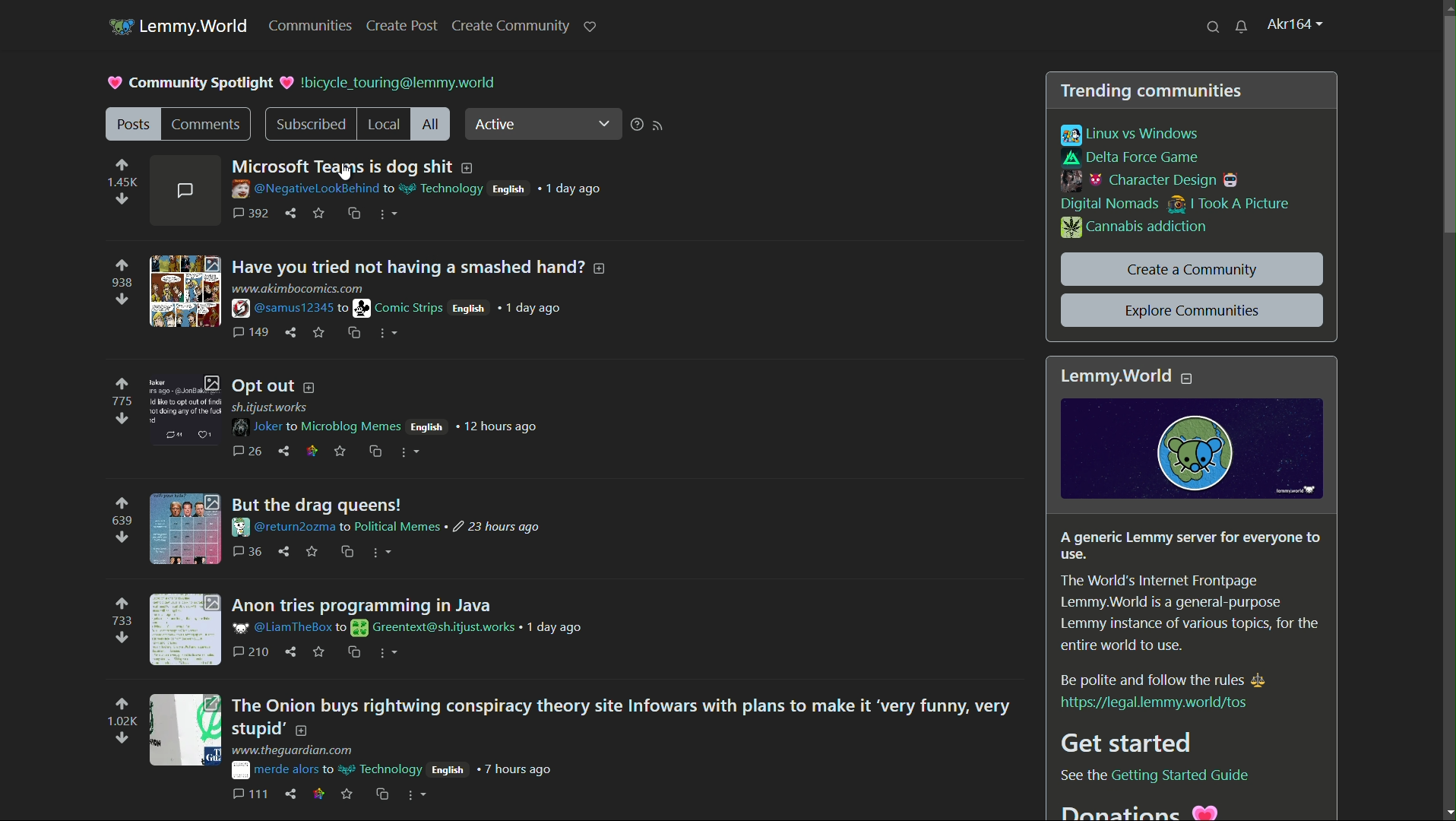 The width and height of the screenshot is (1456, 821). Describe the element at coordinates (122, 722) in the screenshot. I see `number of votes` at that location.